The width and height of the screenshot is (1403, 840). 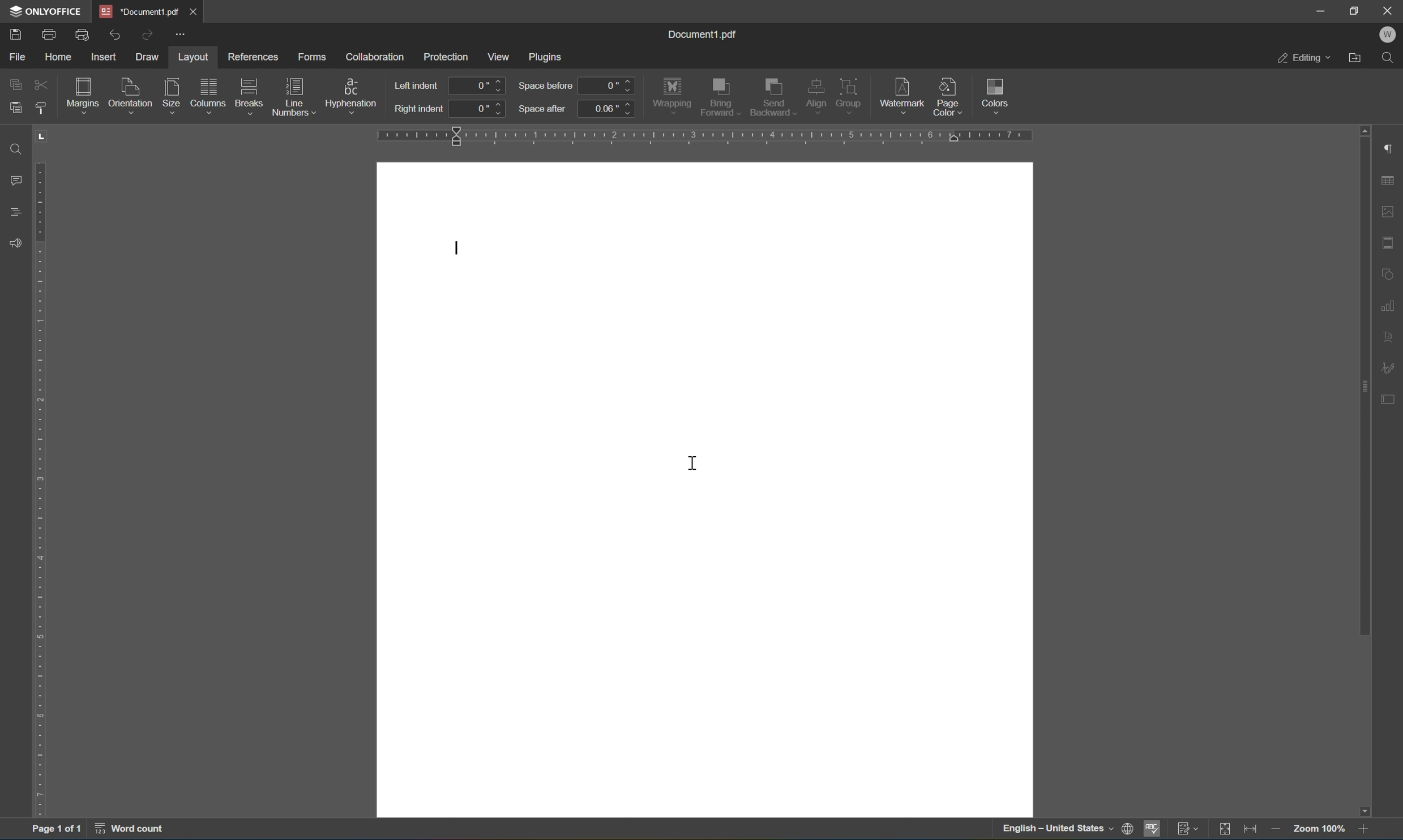 I want to click on space after, so click(x=543, y=108).